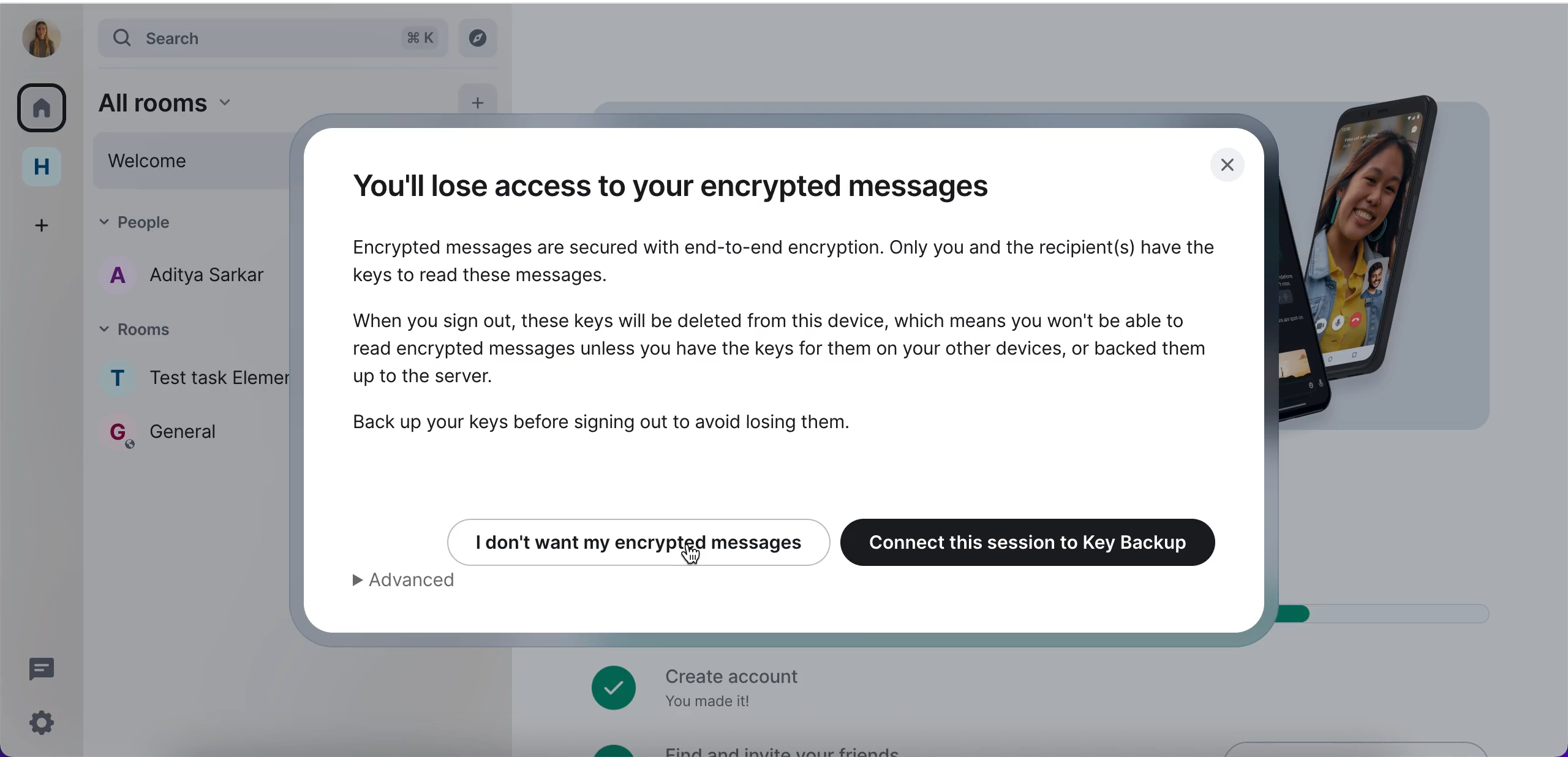 This screenshot has height=757, width=1568. I want to click on find and invite your friends, so click(749, 748).